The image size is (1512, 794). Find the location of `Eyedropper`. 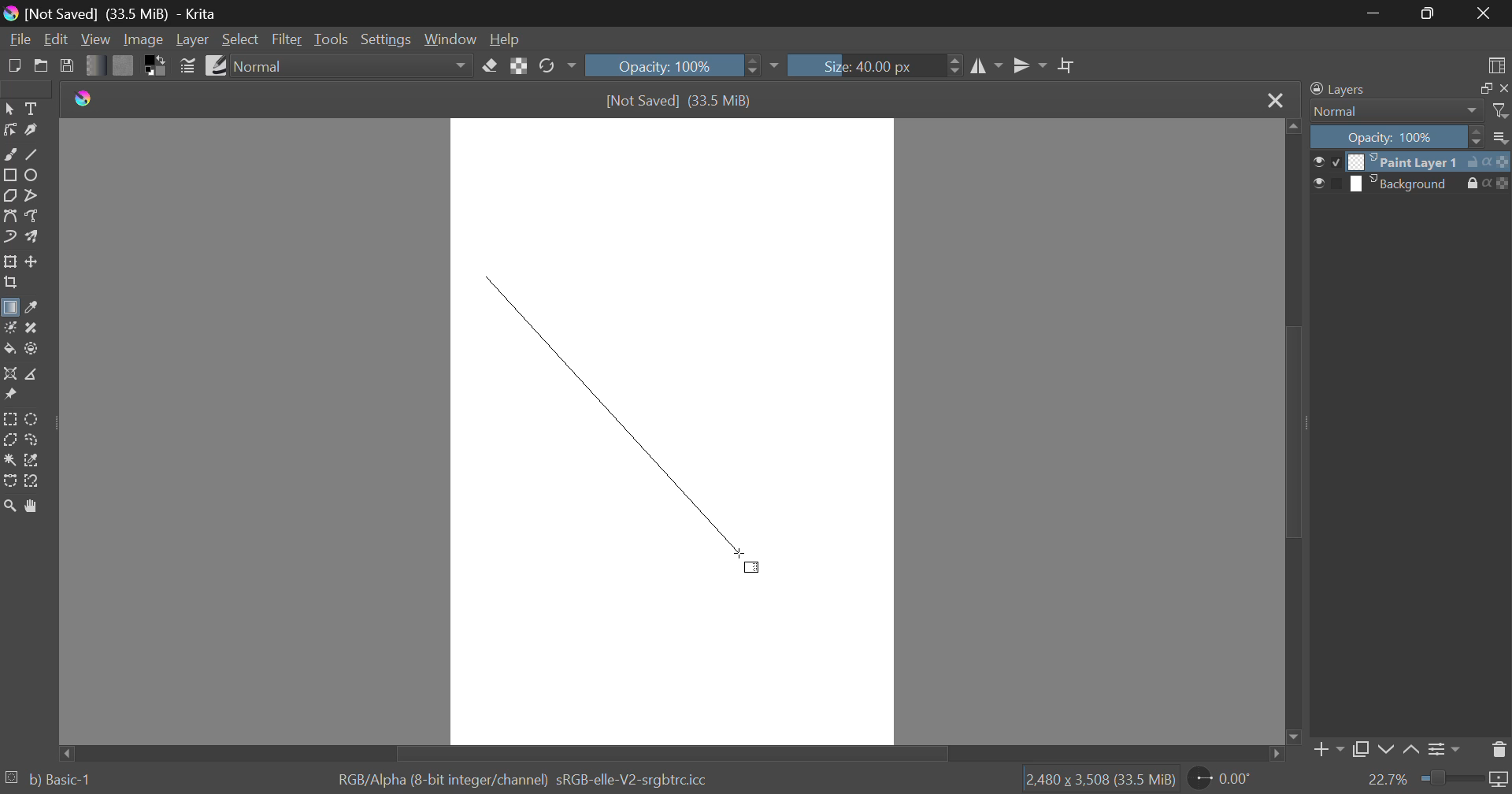

Eyedropper is located at coordinates (30, 309).